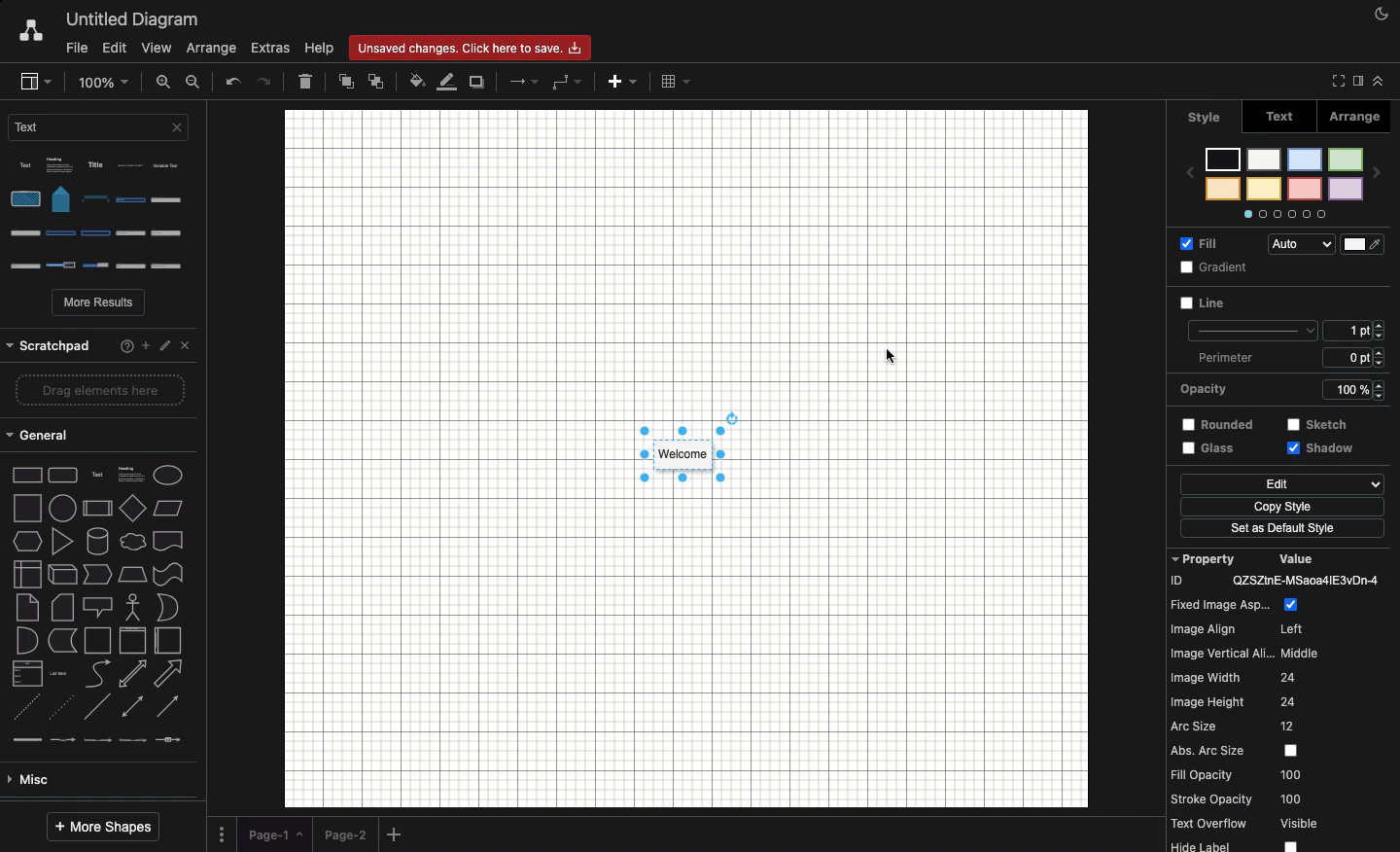 The height and width of the screenshot is (852, 1400). I want to click on , so click(1329, 424).